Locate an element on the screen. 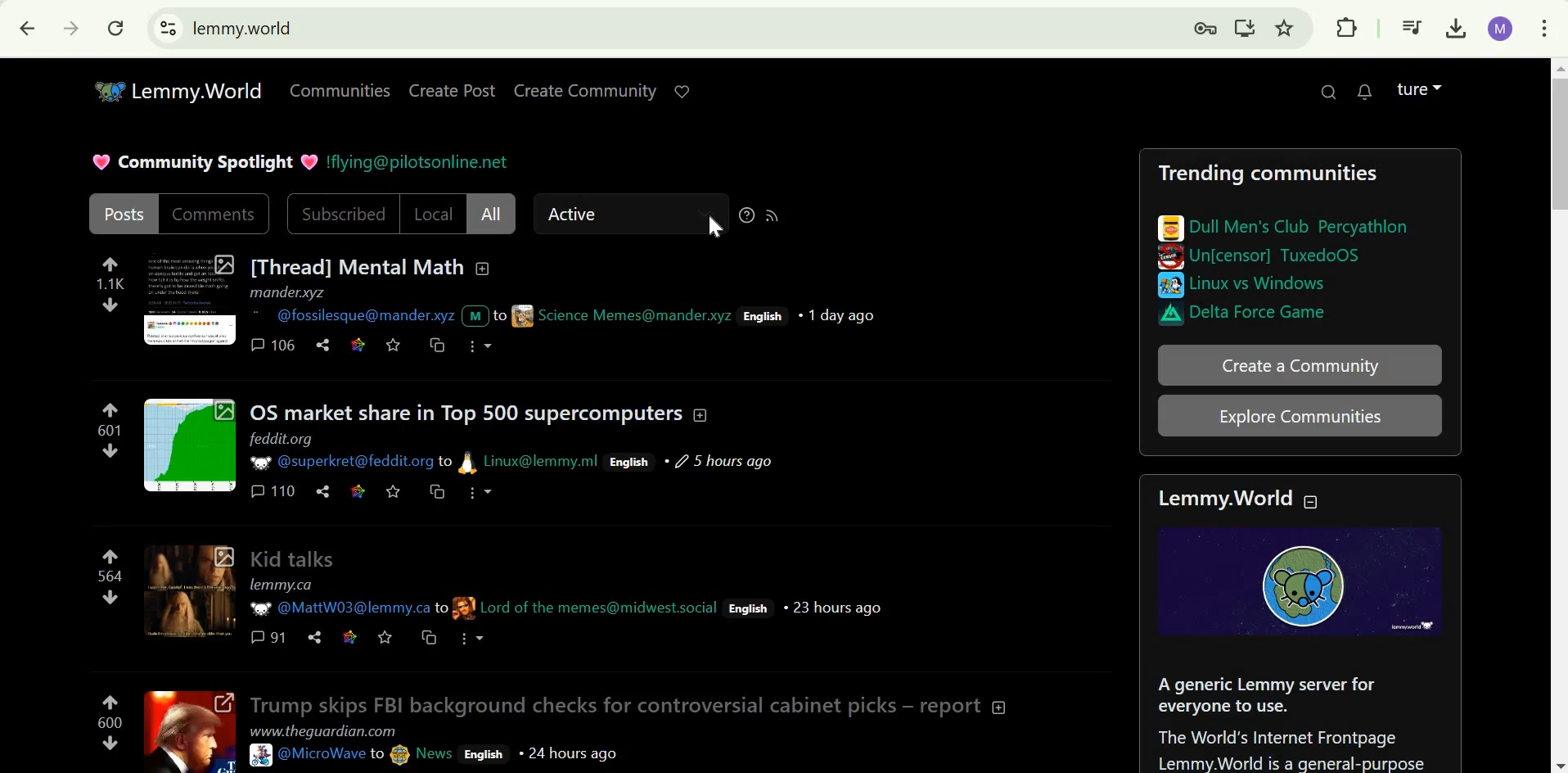  heart is located at coordinates (97, 160).